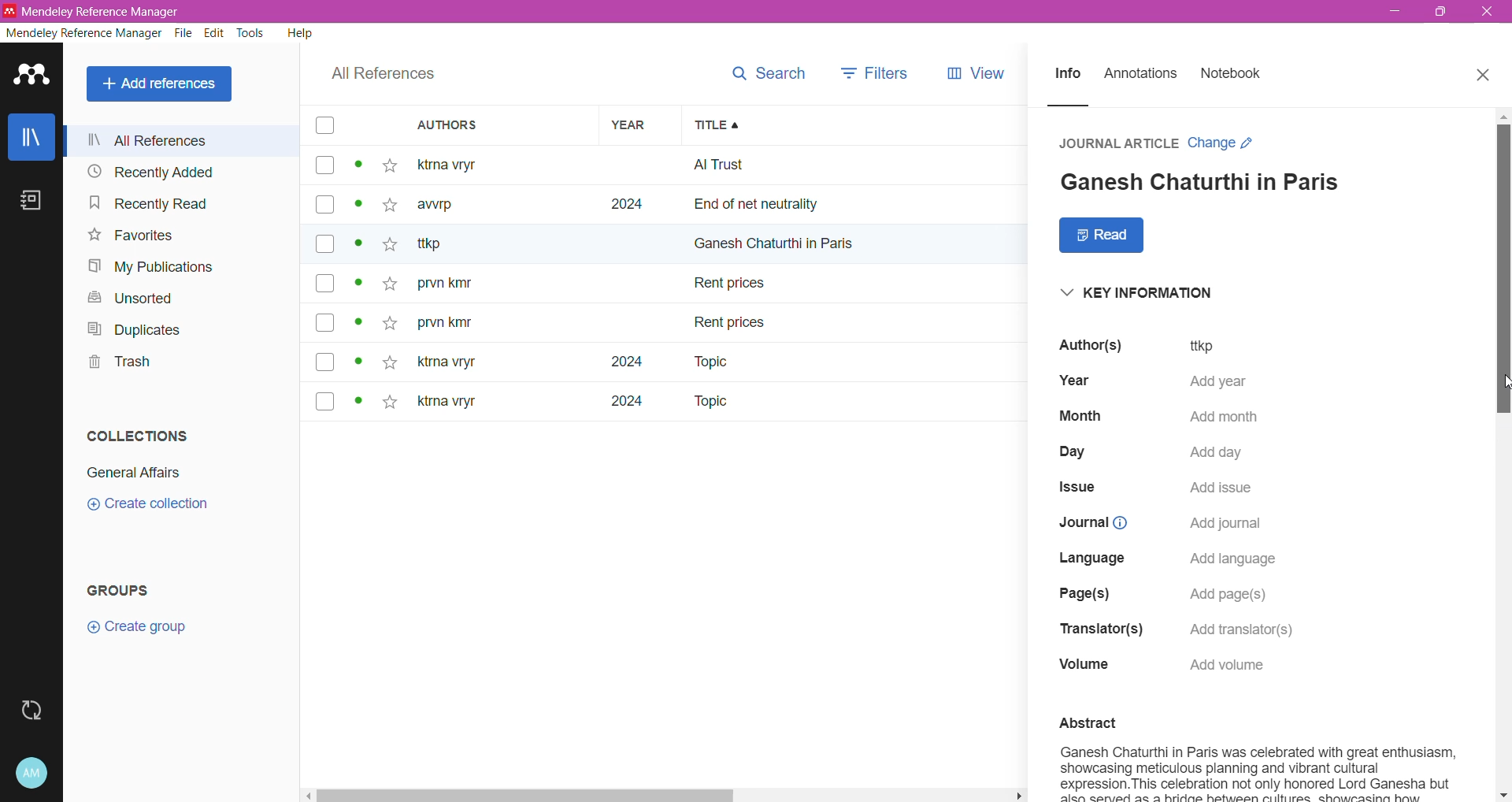 The width and height of the screenshot is (1512, 802). What do you see at coordinates (876, 69) in the screenshot?
I see `Filters` at bounding box center [876, 69].